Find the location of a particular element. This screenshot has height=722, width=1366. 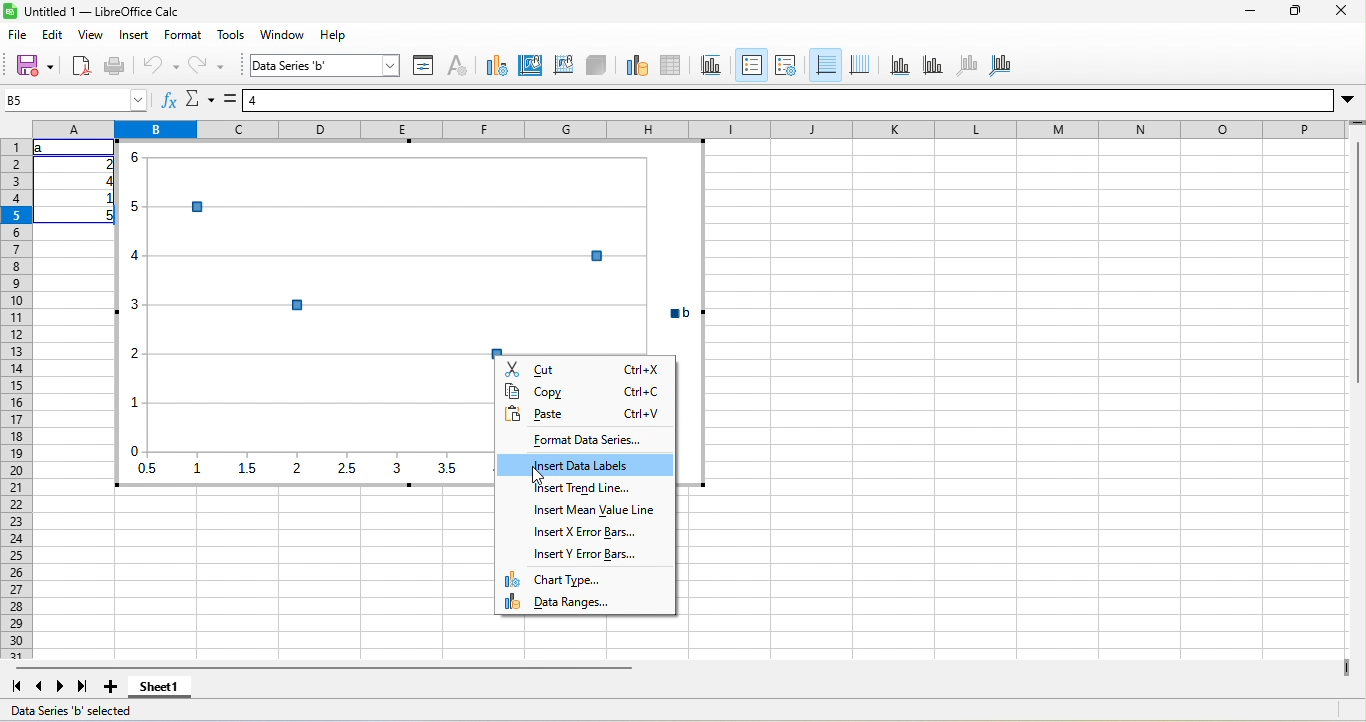

y axis is located at coordinates (934, 67).